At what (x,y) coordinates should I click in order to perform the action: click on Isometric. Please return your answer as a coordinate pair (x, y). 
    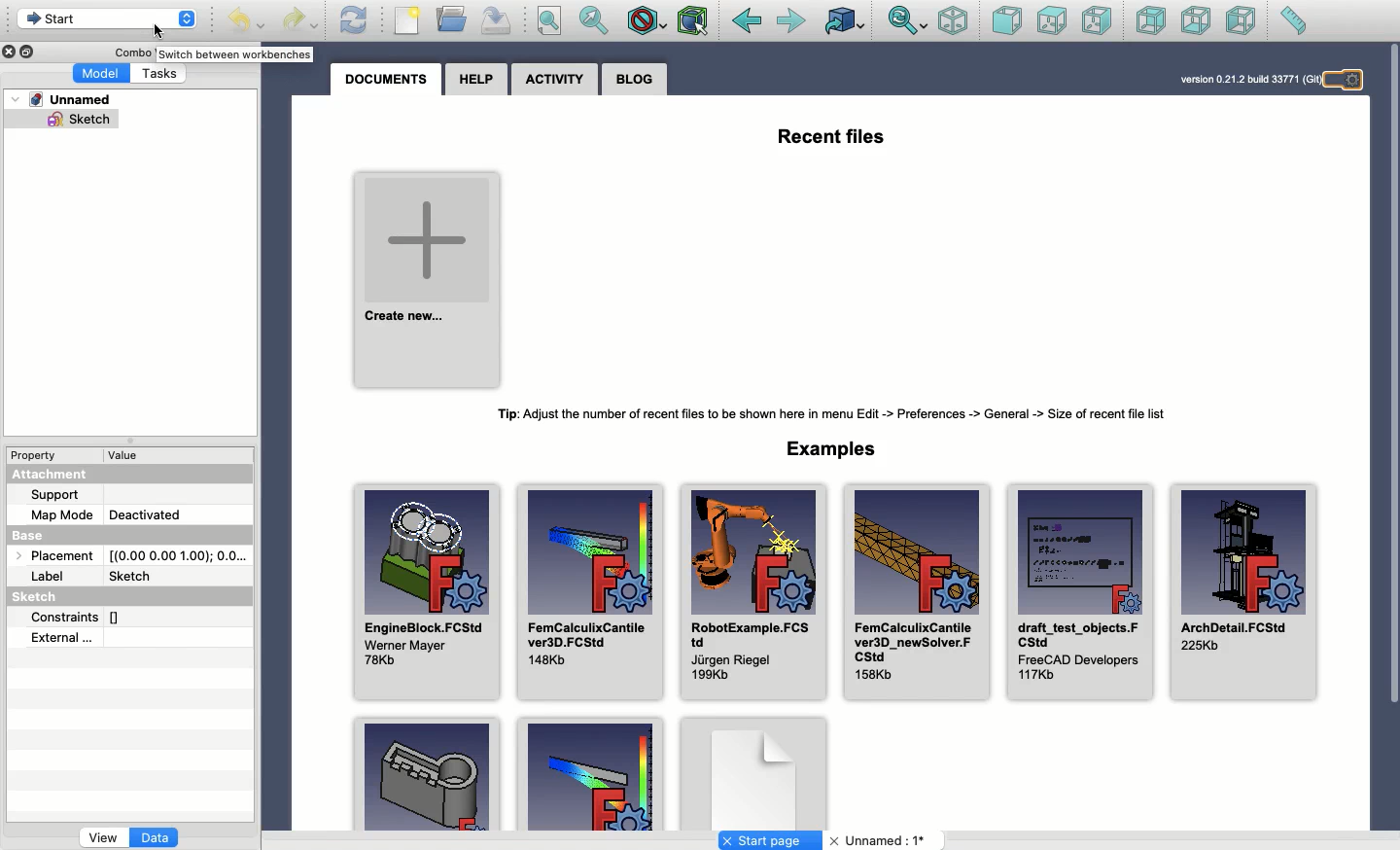
    Looking at the image, I should click on (954, 20).